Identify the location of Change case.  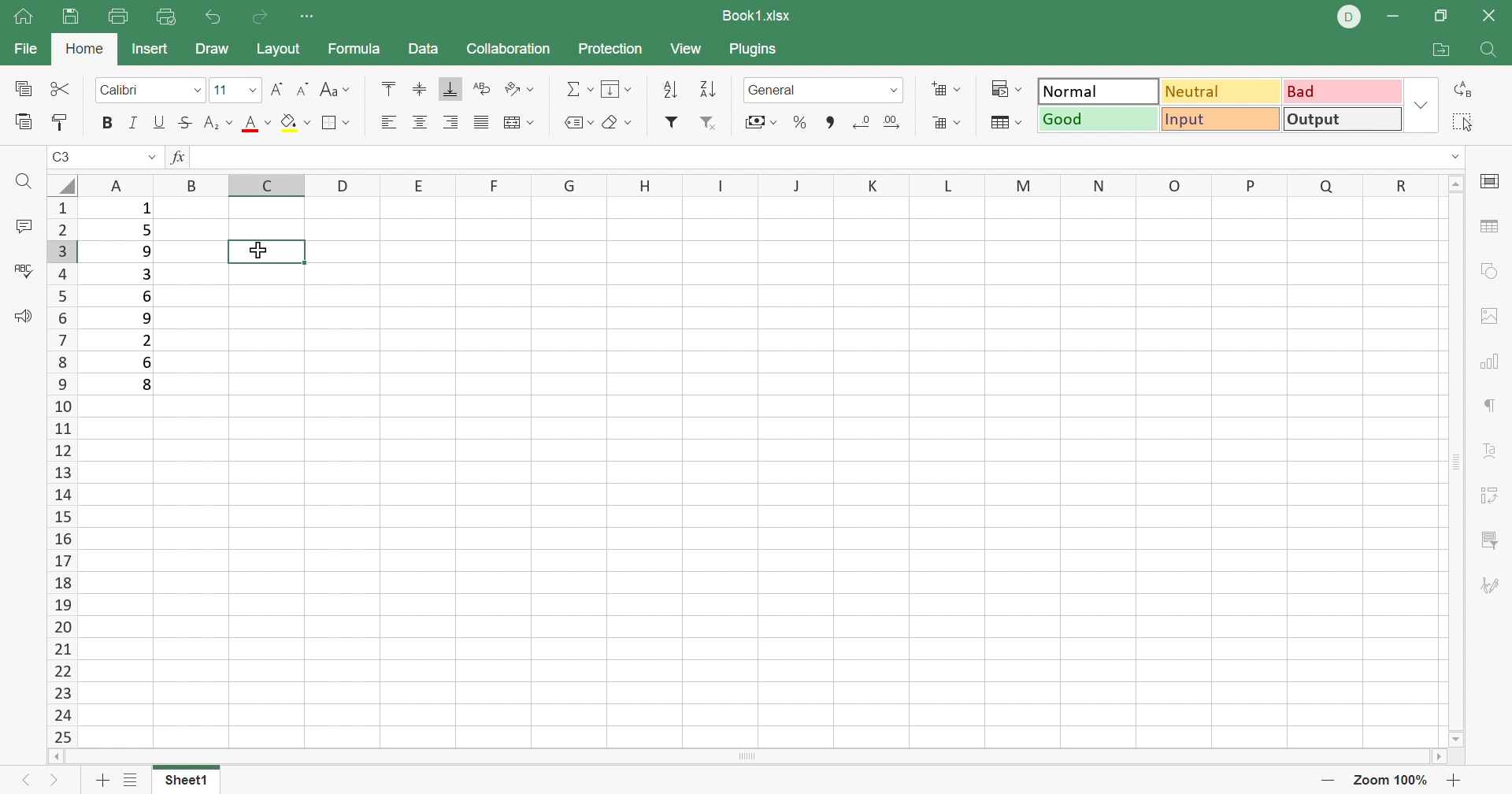
(336, 92).